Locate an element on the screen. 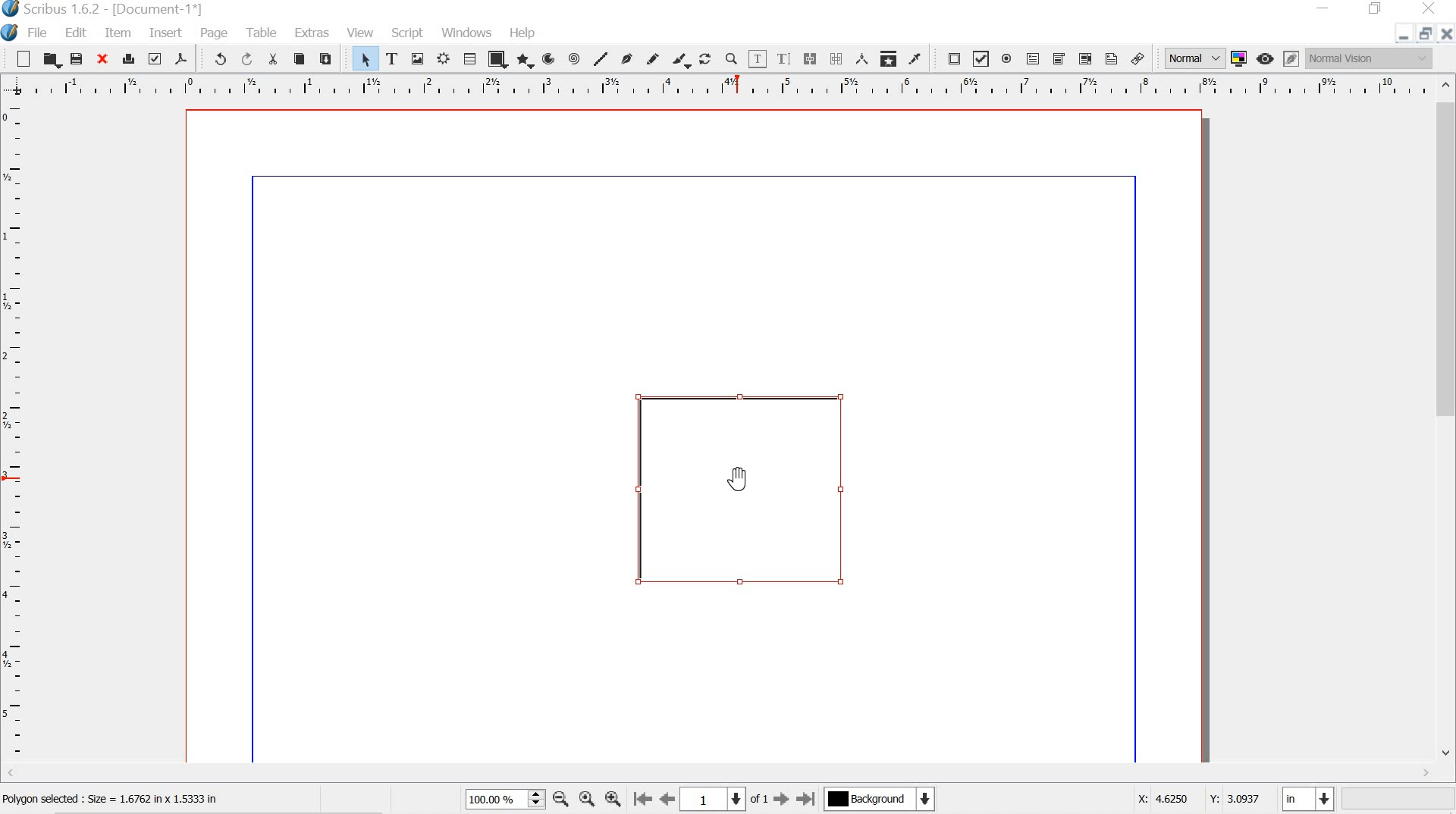 The image size is (1456, 814). go the last page is located at coordinates (807, 797).